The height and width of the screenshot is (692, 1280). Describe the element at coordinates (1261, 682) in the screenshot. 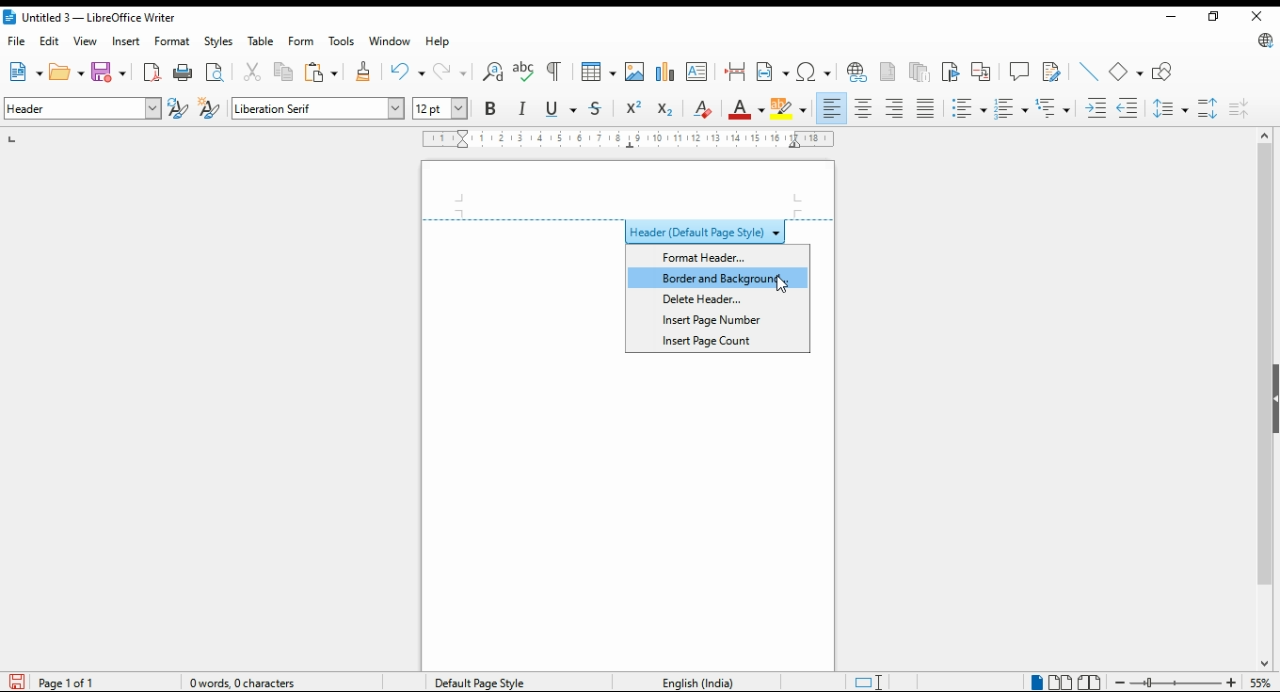

I see `zoom factor` at that location.